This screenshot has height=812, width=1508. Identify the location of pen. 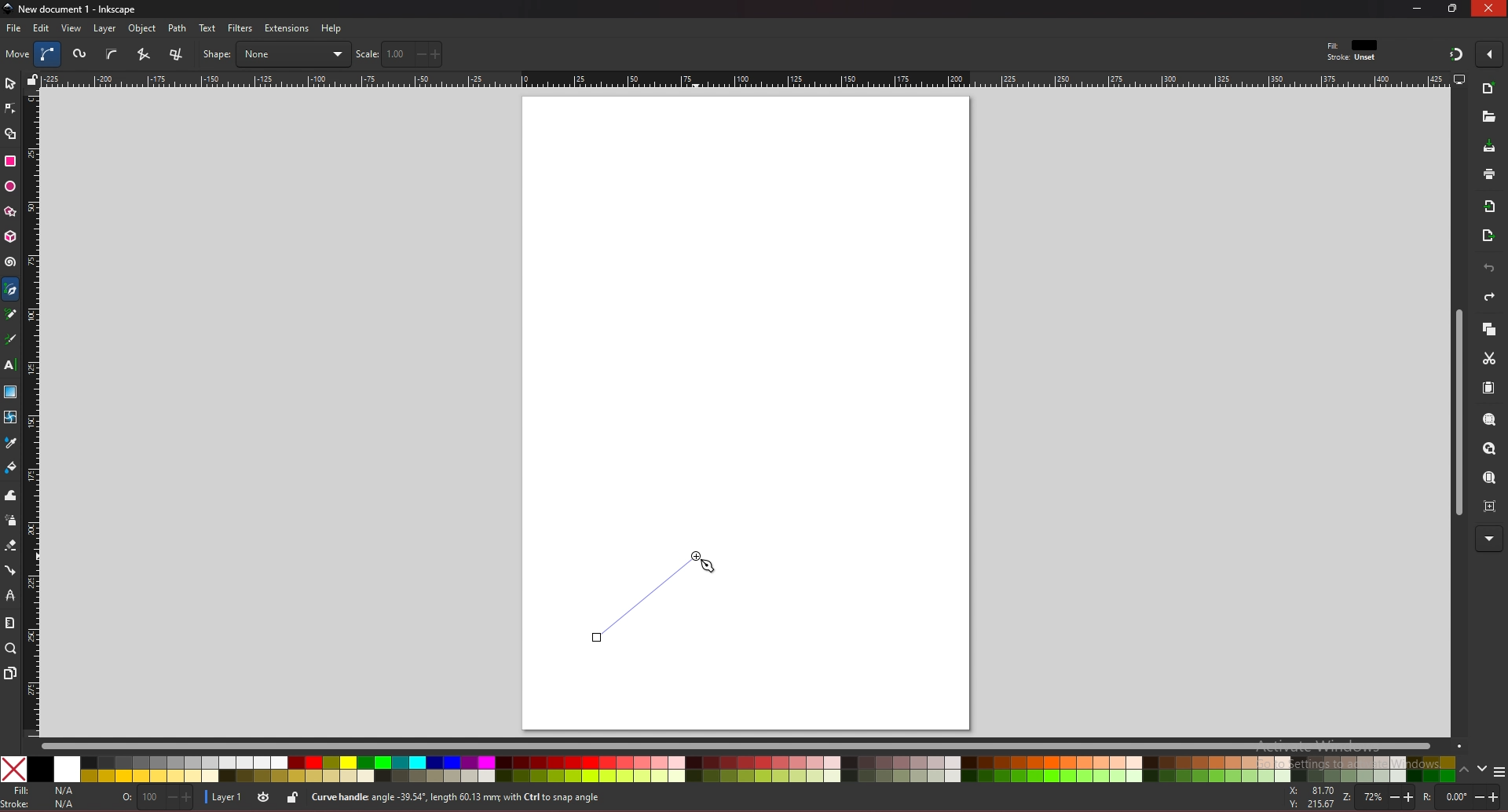
(13, 290).